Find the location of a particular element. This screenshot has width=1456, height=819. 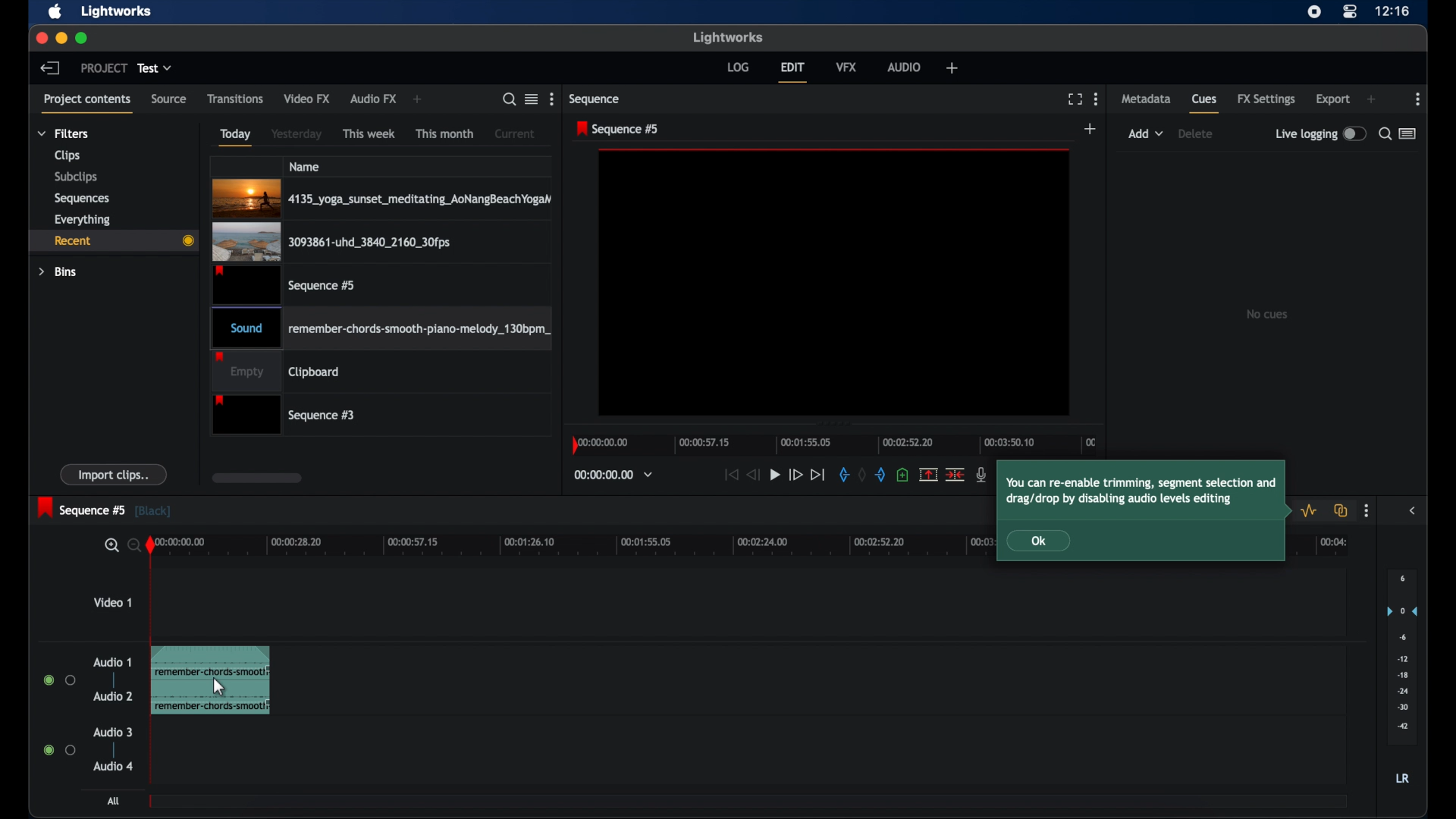

-17.1 db is located at coordinates (246, 664).